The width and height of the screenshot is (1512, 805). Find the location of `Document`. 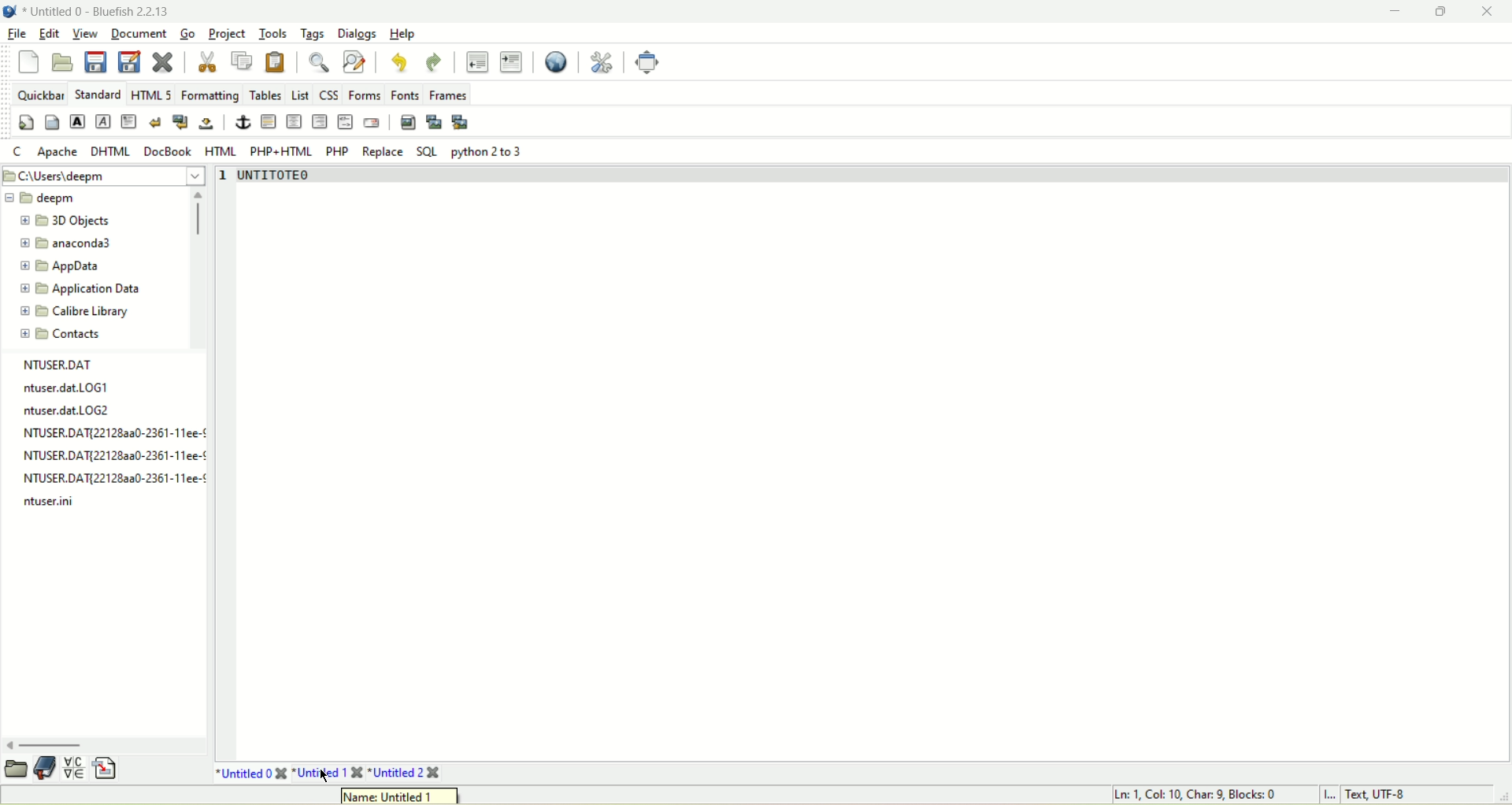

Document is located at coordinates (138, 32).